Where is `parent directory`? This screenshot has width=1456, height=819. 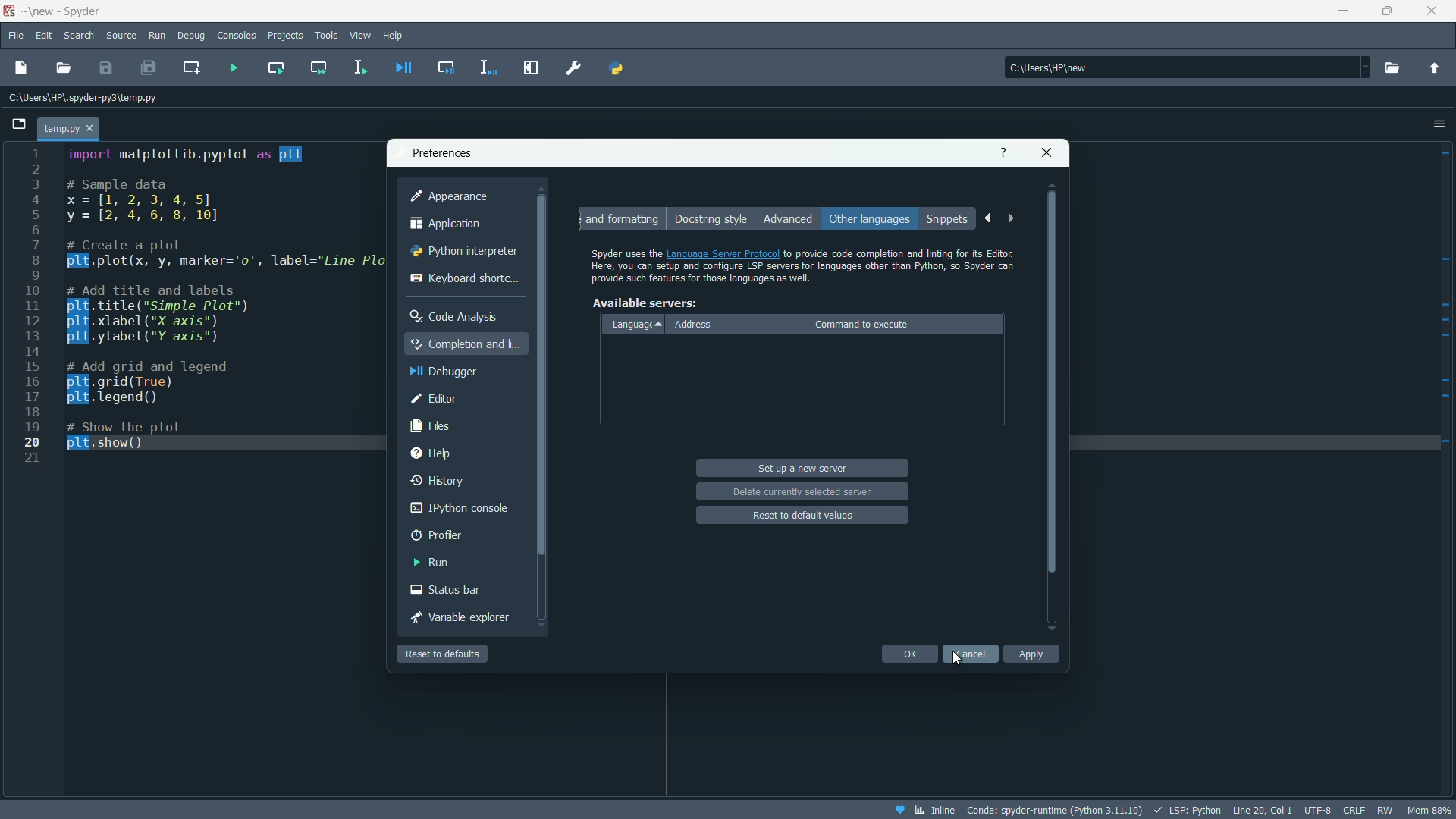
parent directory is located at coordinates (1434, 67).